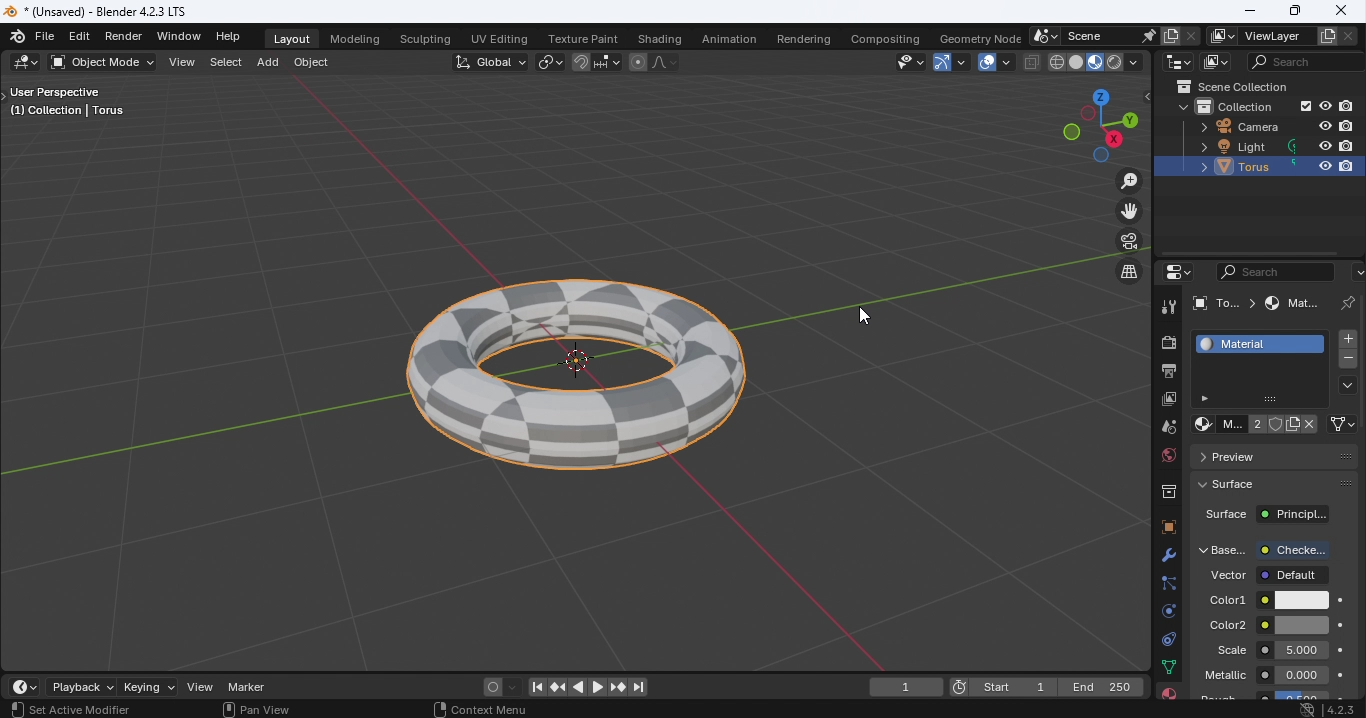 Image resolution: width=1366 pixels, height=718 pixels. I want to click on Viewport shading, so click(1077, 62).